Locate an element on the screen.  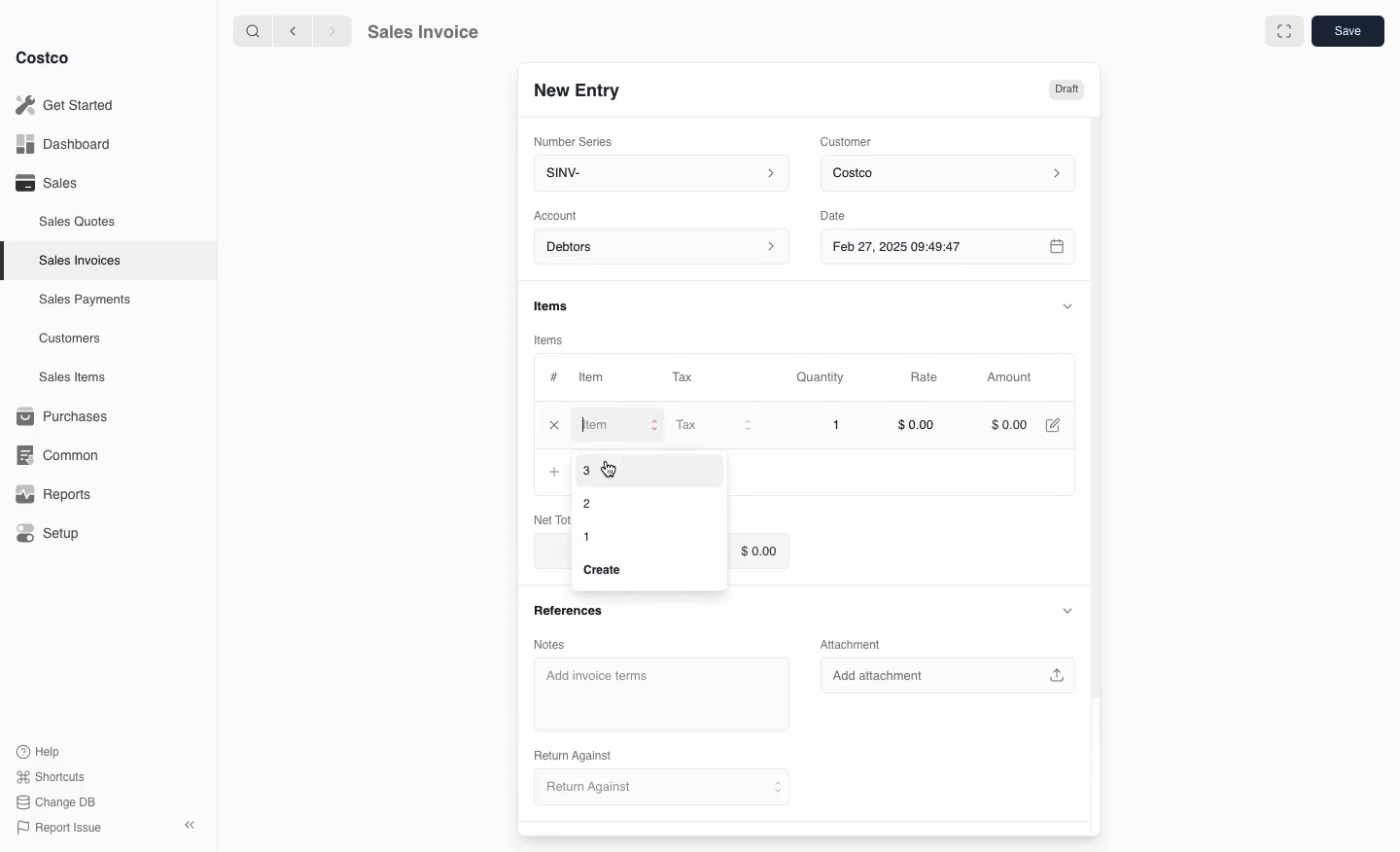
Rate is located at coordinates (926, 378).